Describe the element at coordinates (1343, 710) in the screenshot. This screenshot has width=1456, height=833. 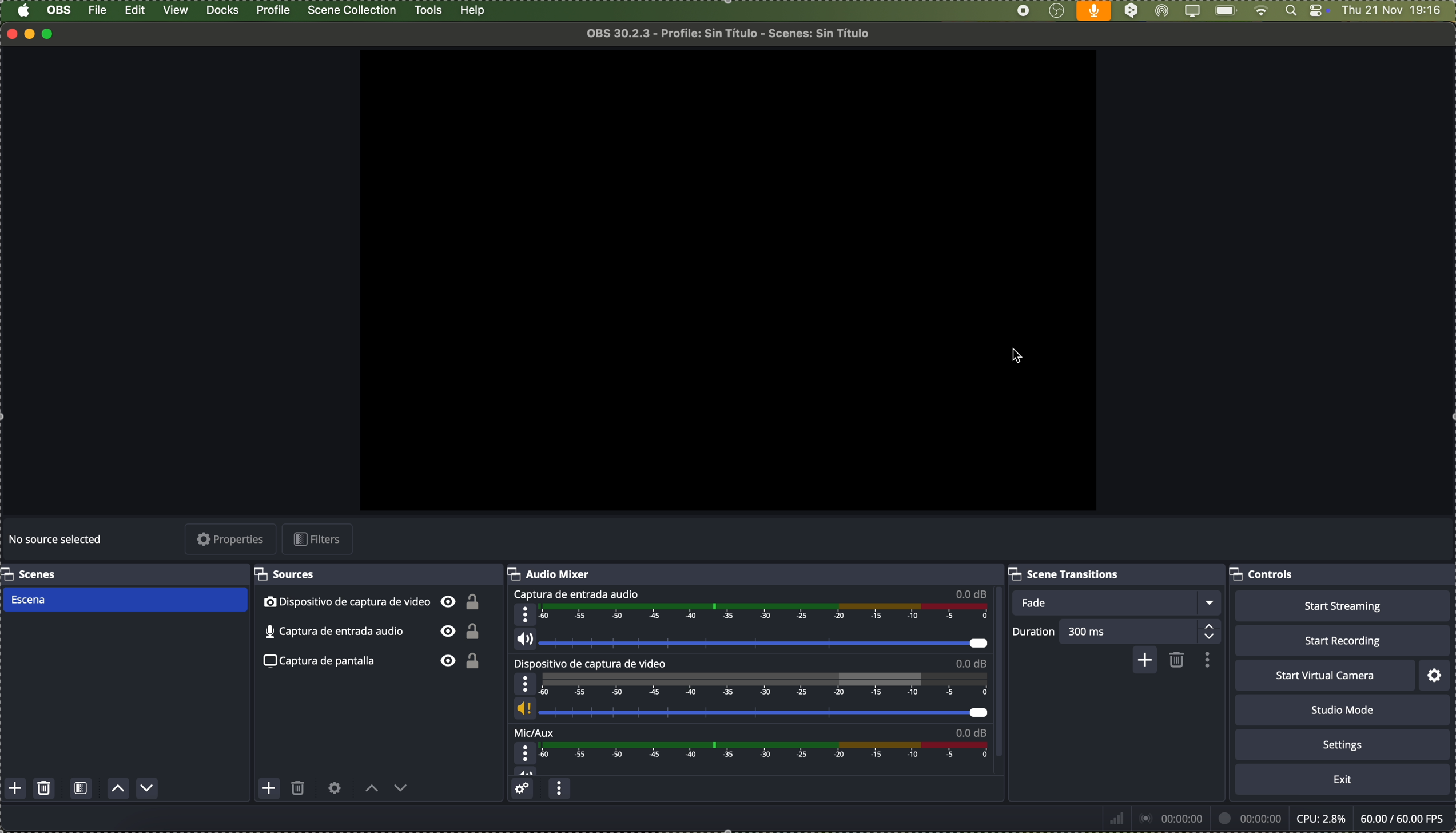
I see `studio mode` at that location.